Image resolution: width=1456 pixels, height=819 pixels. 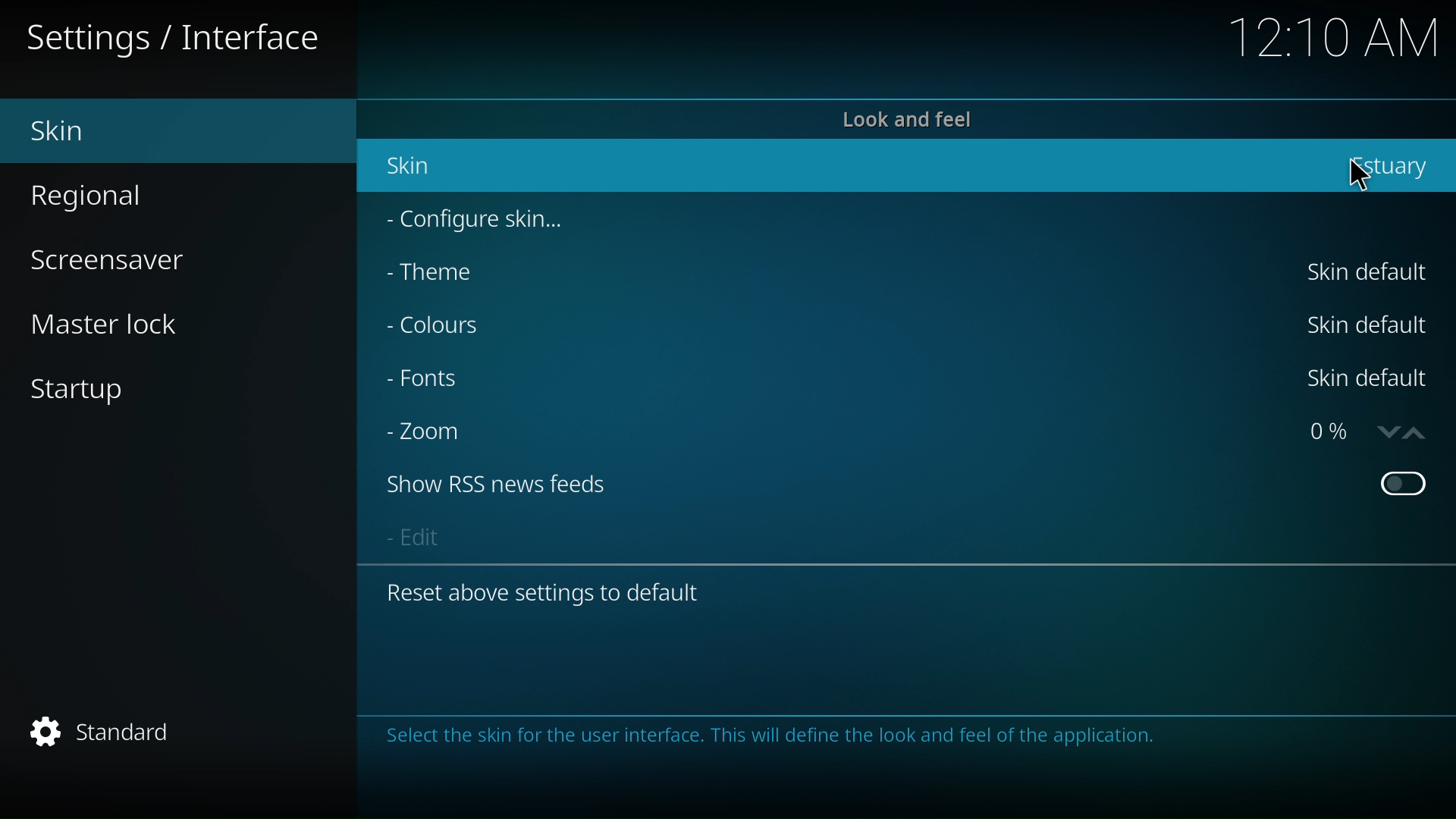 What do you see at coordinates (419, 376) in the screenshot?
I see `font` at bounding box center [419, 376].